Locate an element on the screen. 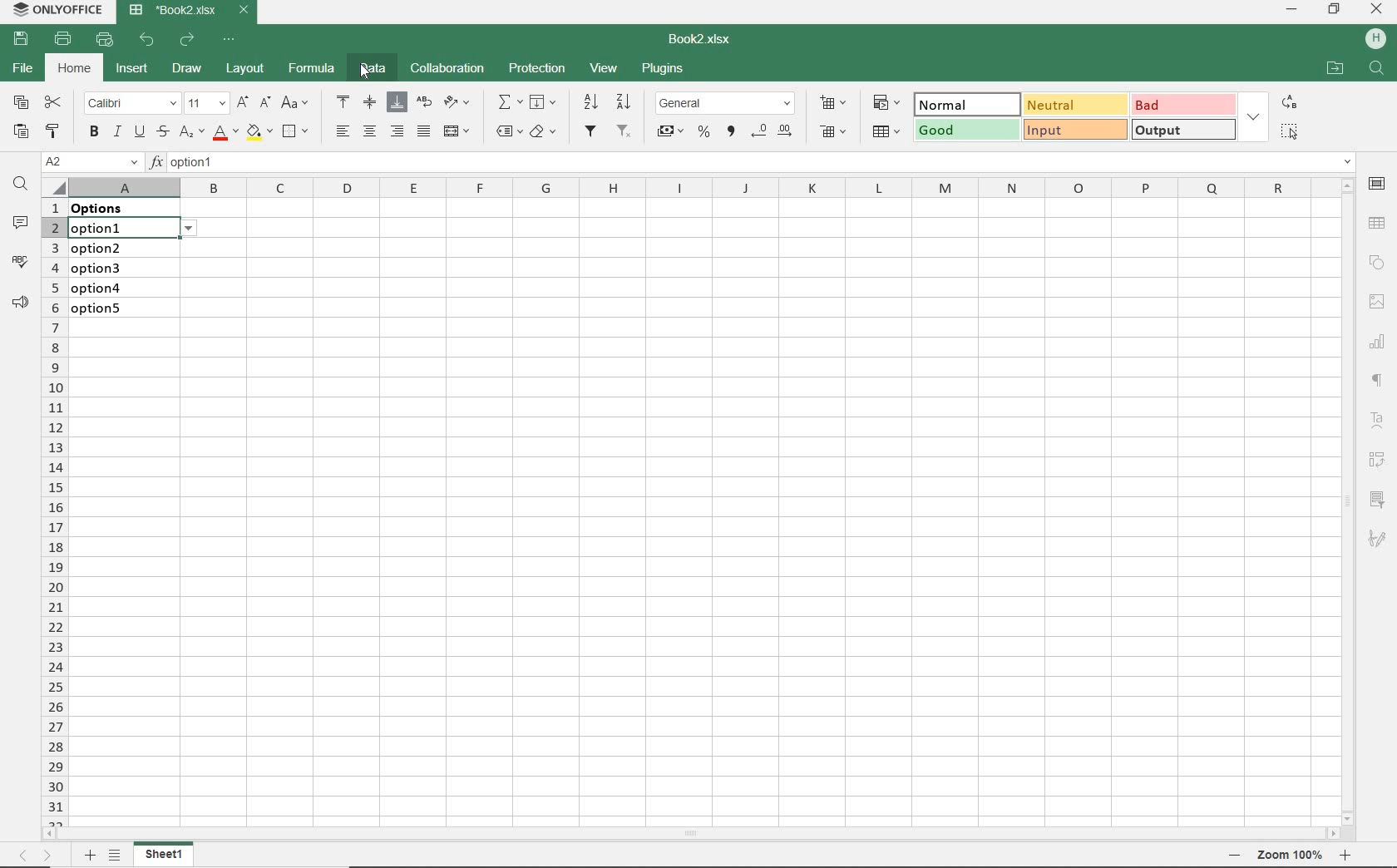 This screenshot has width=1397, height=868. ALIGN MIDDLE is located at coordinates (368, 103).